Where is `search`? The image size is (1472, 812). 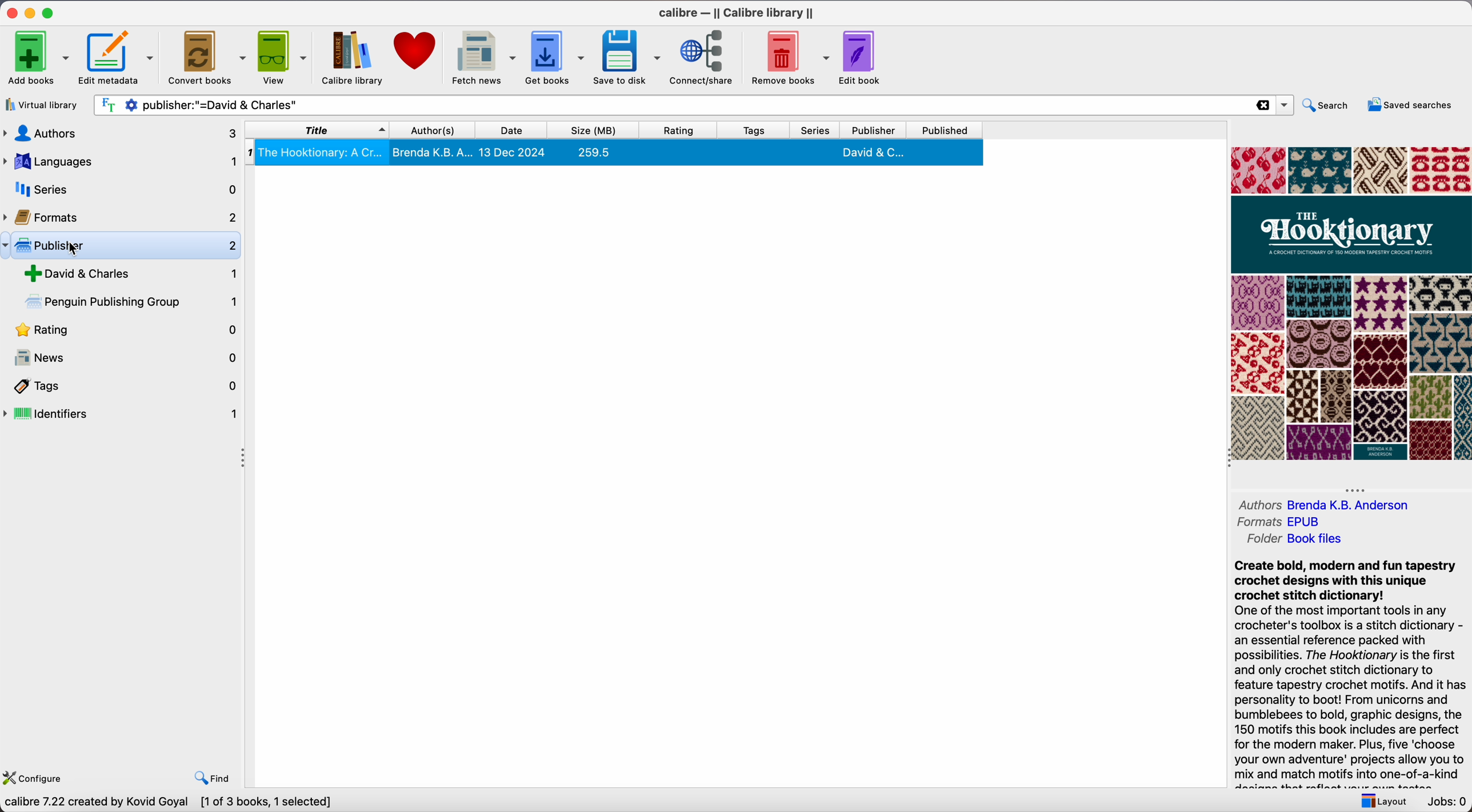 search is located at coordinates (1327, 104).